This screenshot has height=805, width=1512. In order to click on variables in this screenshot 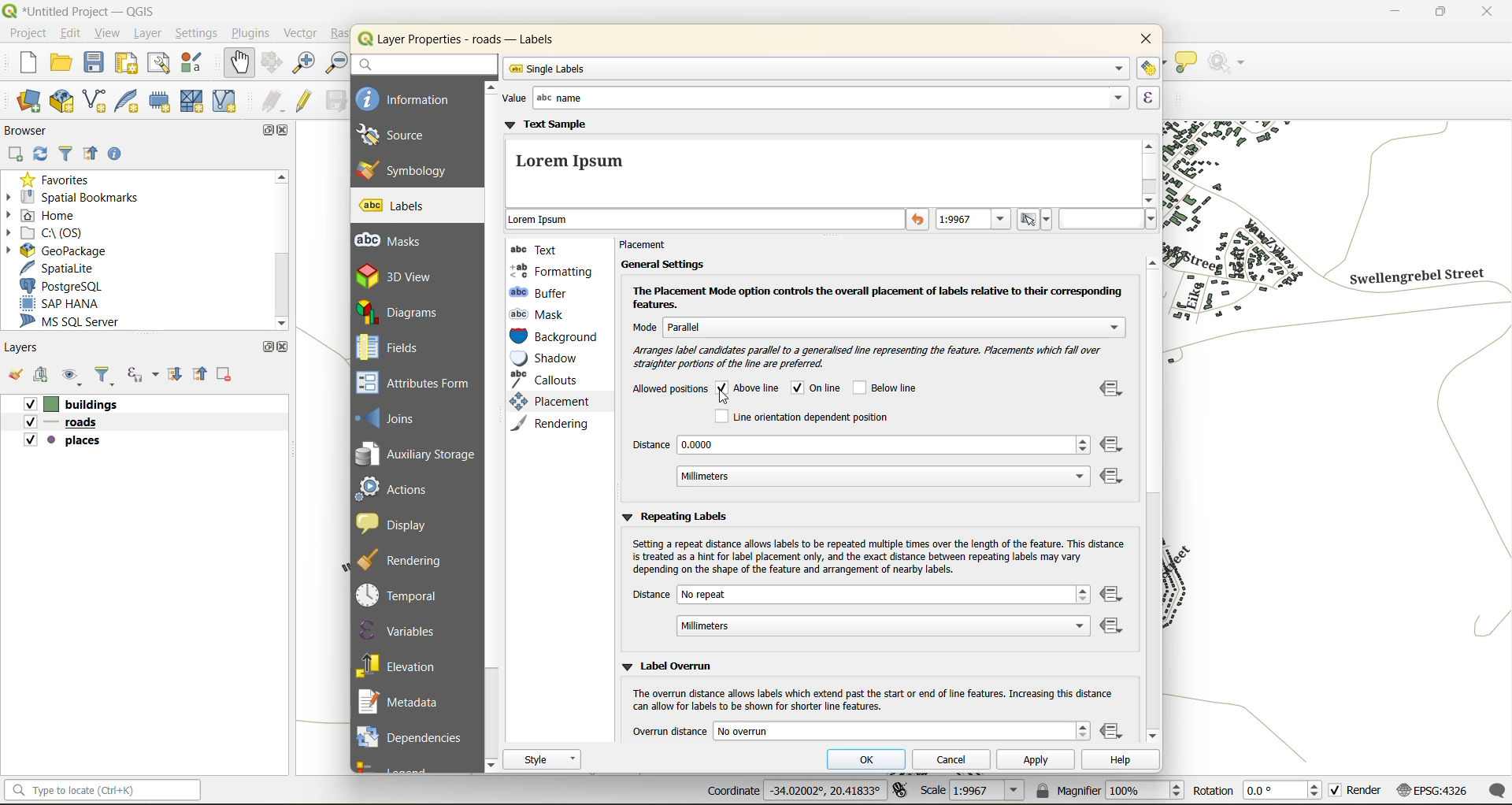, I will do `click(400, 630)`.